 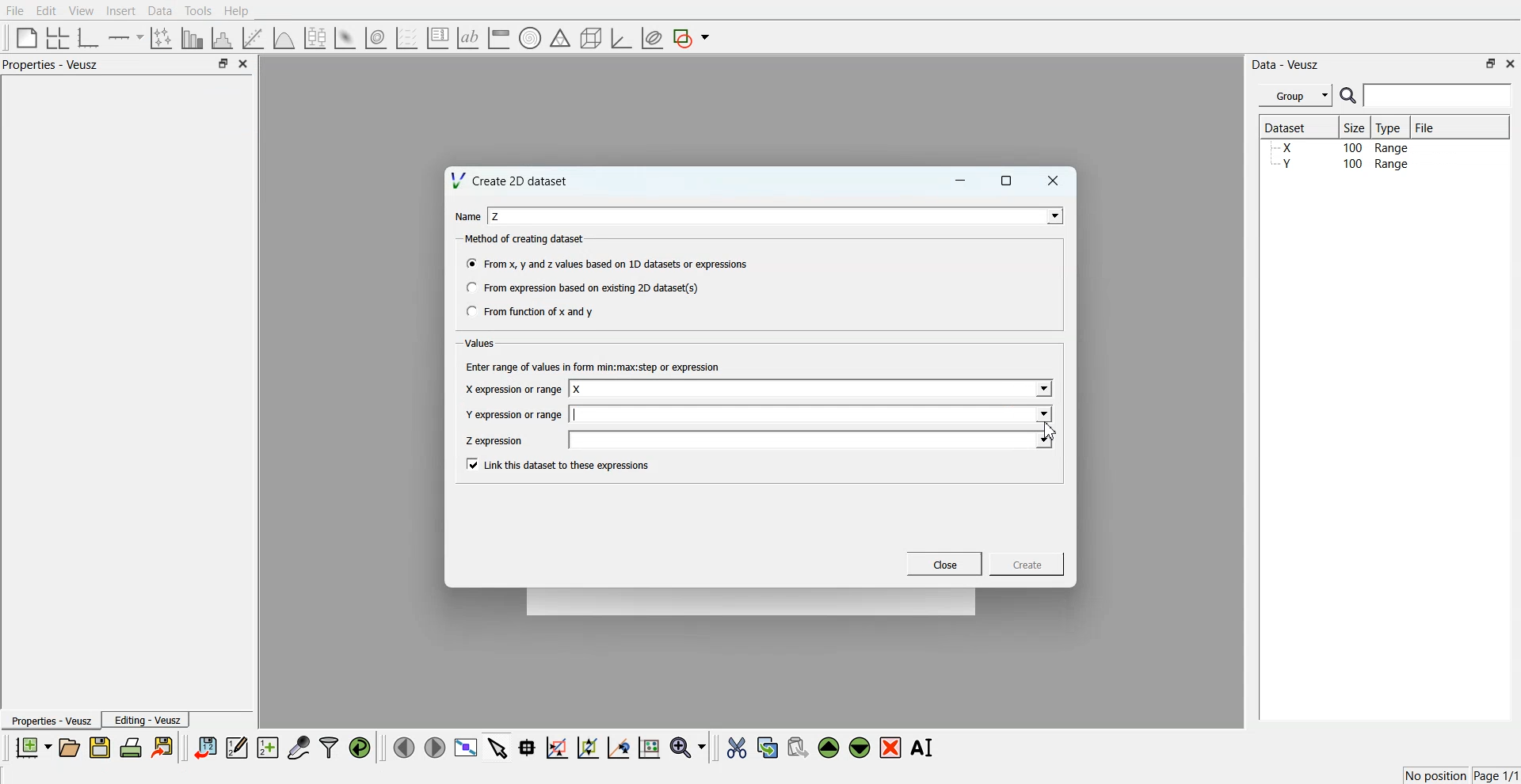 I want to click on Zoom out of the graph axes, so click(x=588, y=747).